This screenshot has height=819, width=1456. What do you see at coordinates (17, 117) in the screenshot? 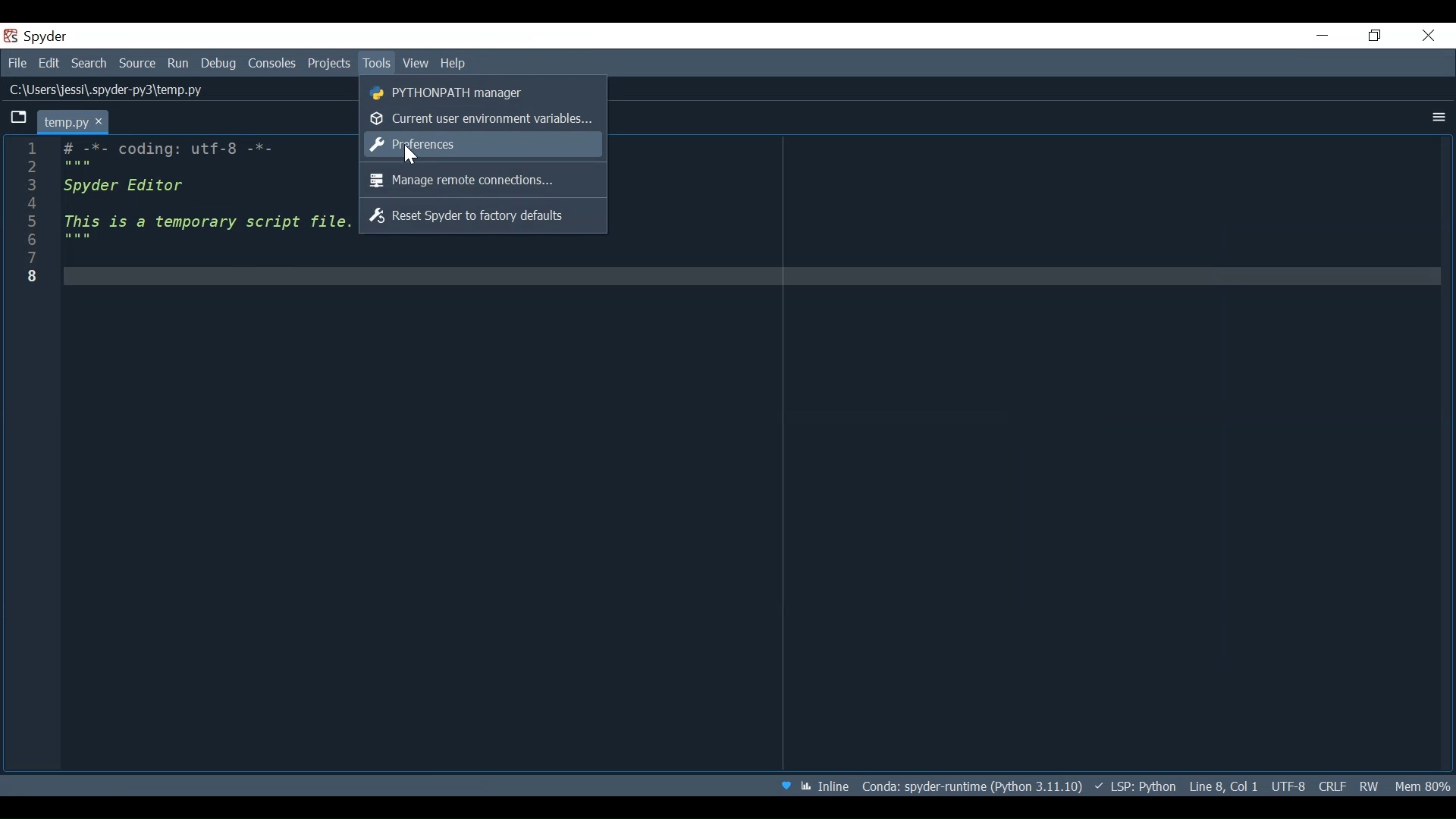
I see `Browse tab` at bounding box center [17, 117].